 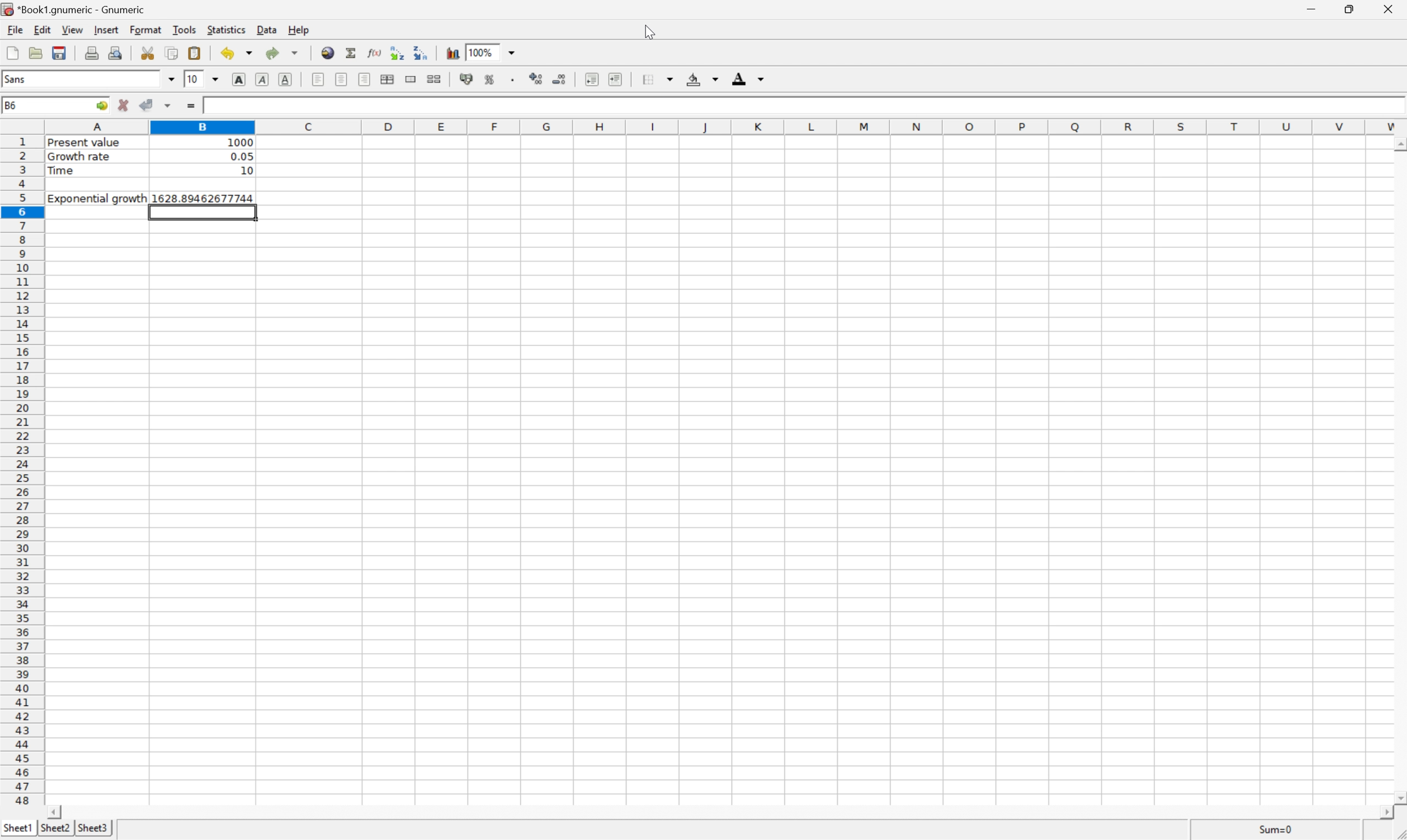 What do you see at coordinates (191, 106) in the screenshot?
I see `Enter formula` at bounding box center [191, 106].